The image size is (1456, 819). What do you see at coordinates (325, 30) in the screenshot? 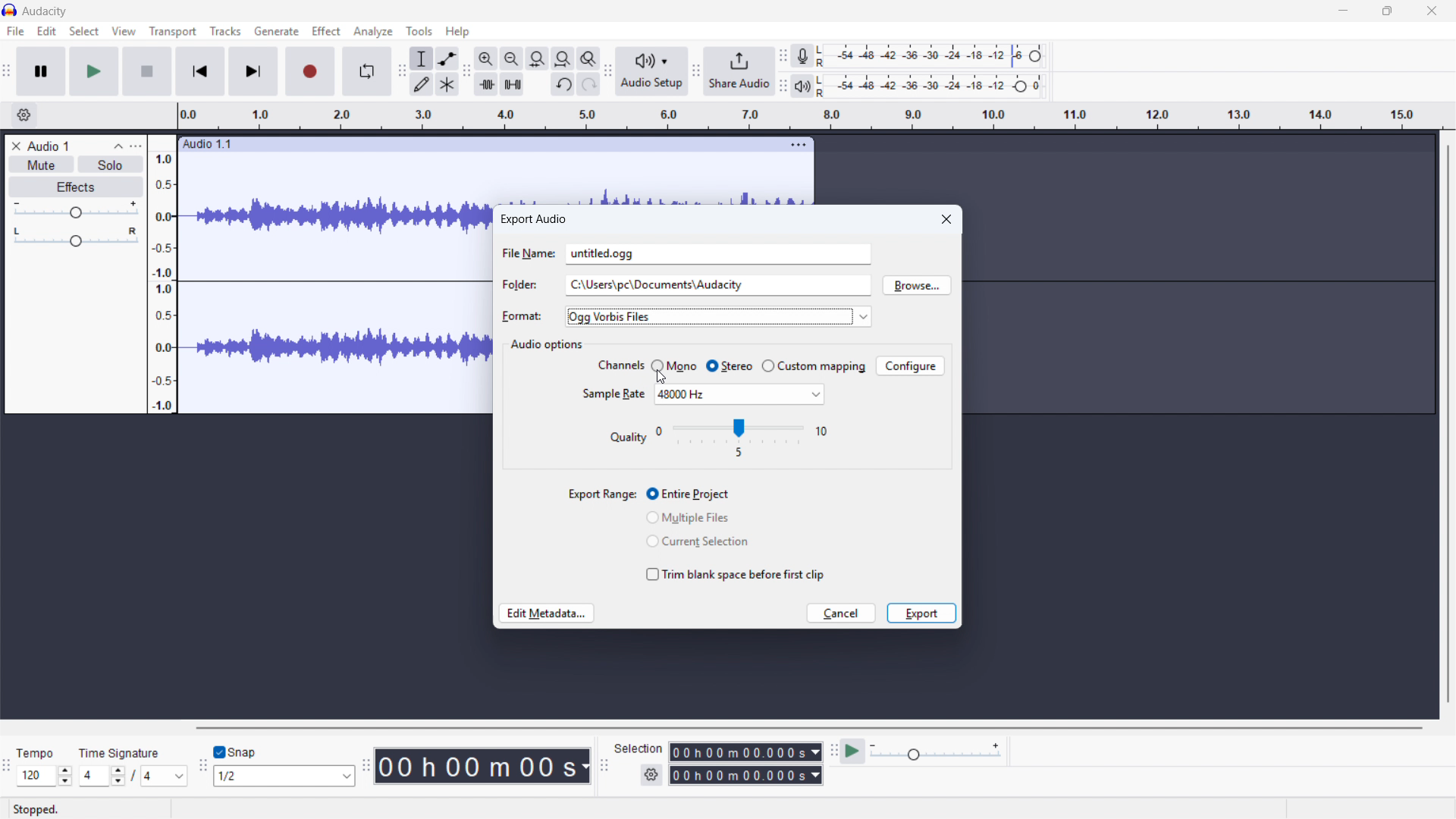
I see `Effect ` at bounding box center [325, 30].